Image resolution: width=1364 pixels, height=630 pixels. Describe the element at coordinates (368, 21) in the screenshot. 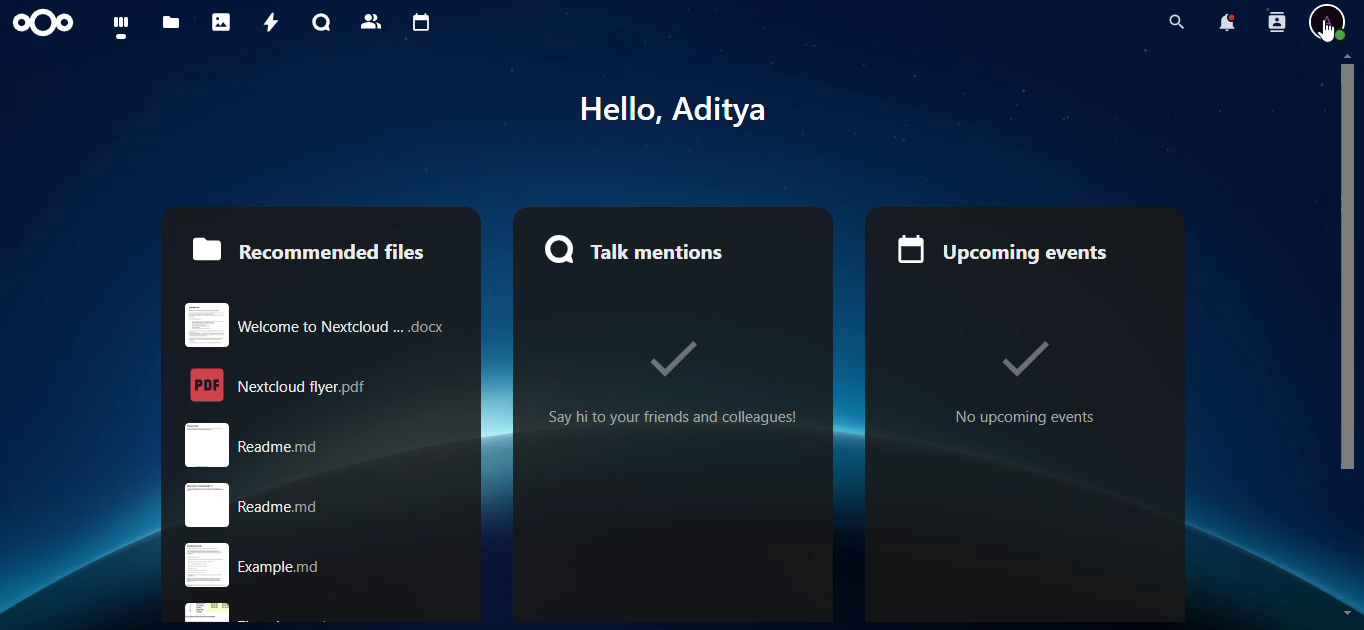

I see `contacts` at that location.